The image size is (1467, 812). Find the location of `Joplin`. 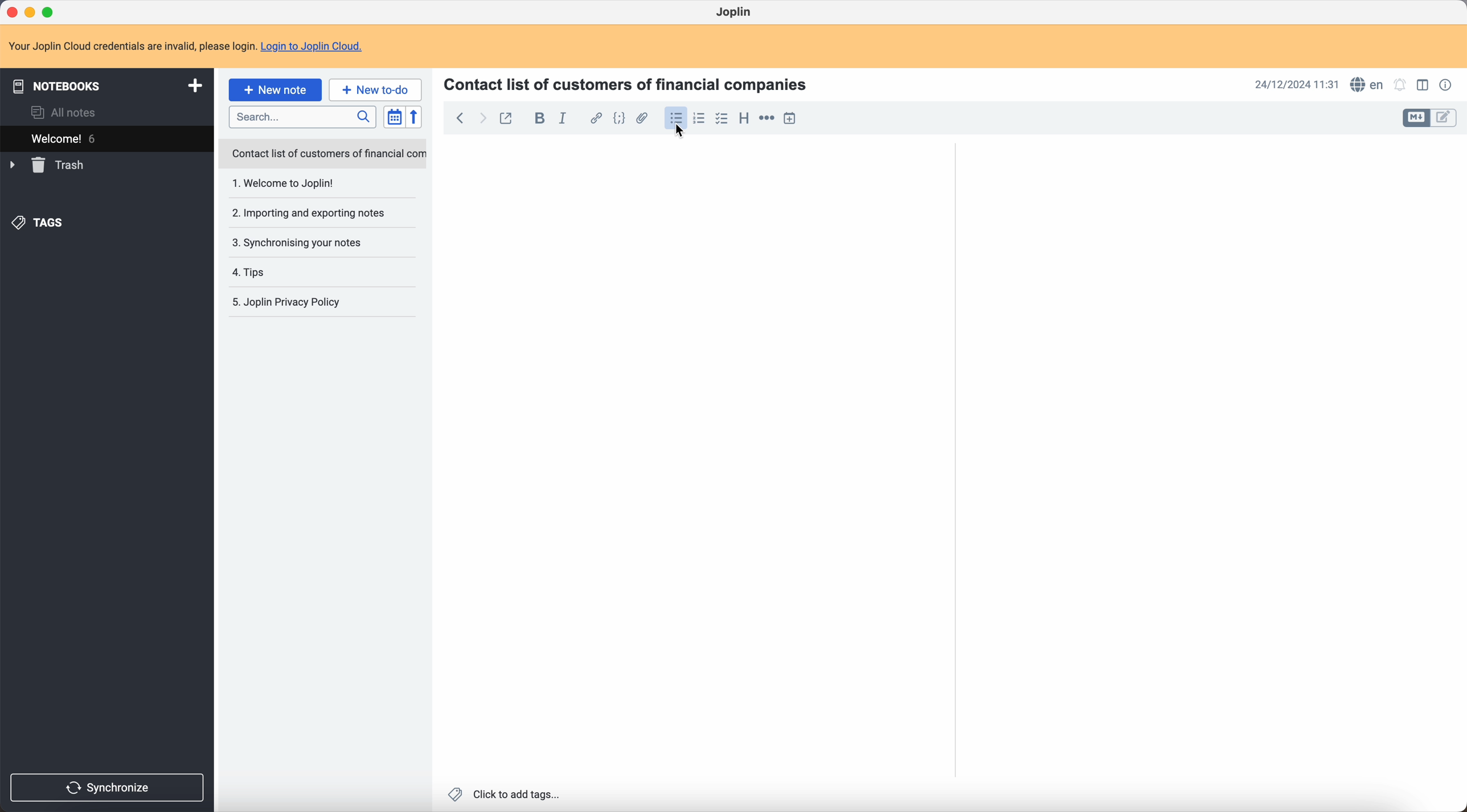

Joplin is located at coordinates (733, 11).